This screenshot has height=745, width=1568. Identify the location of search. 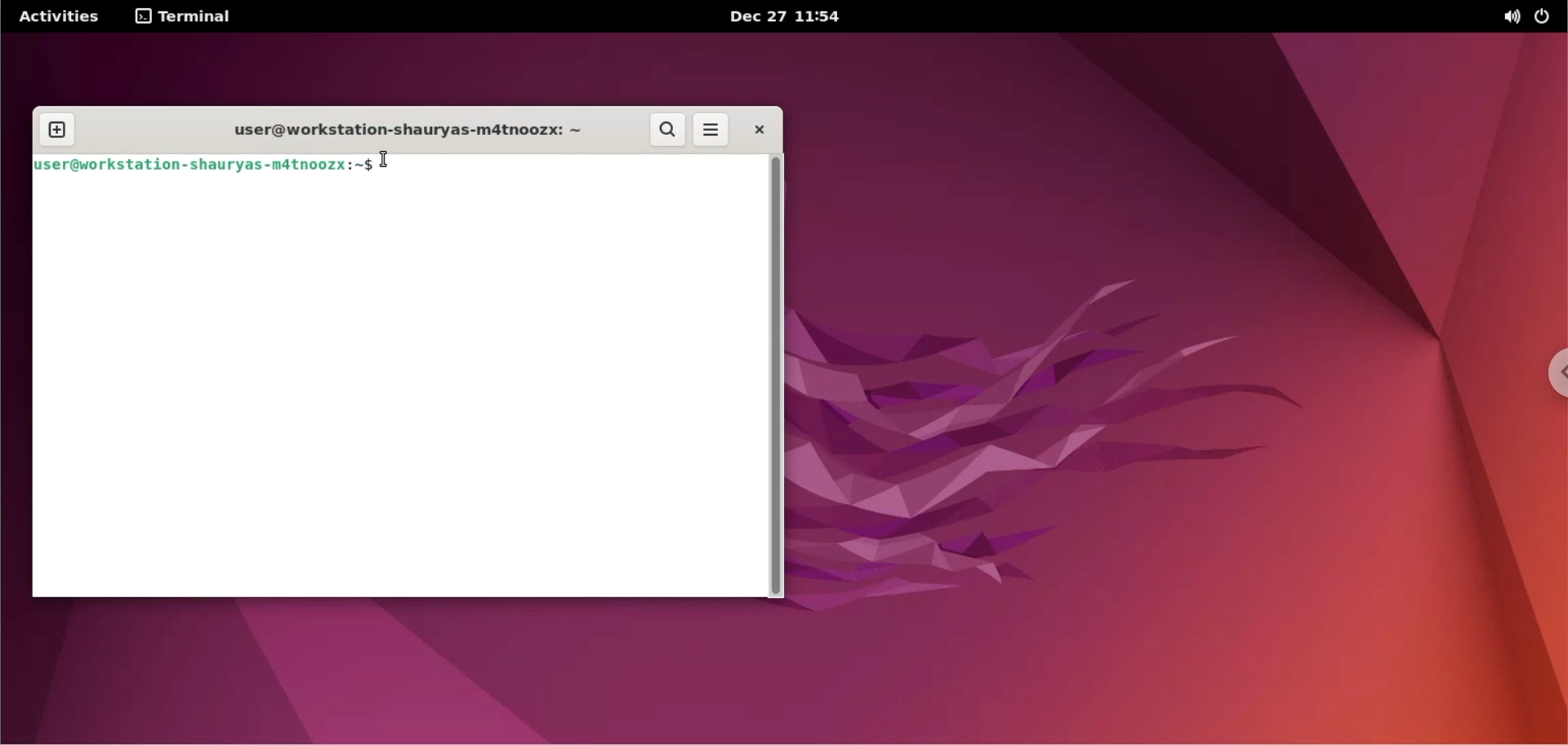
(666, 130).